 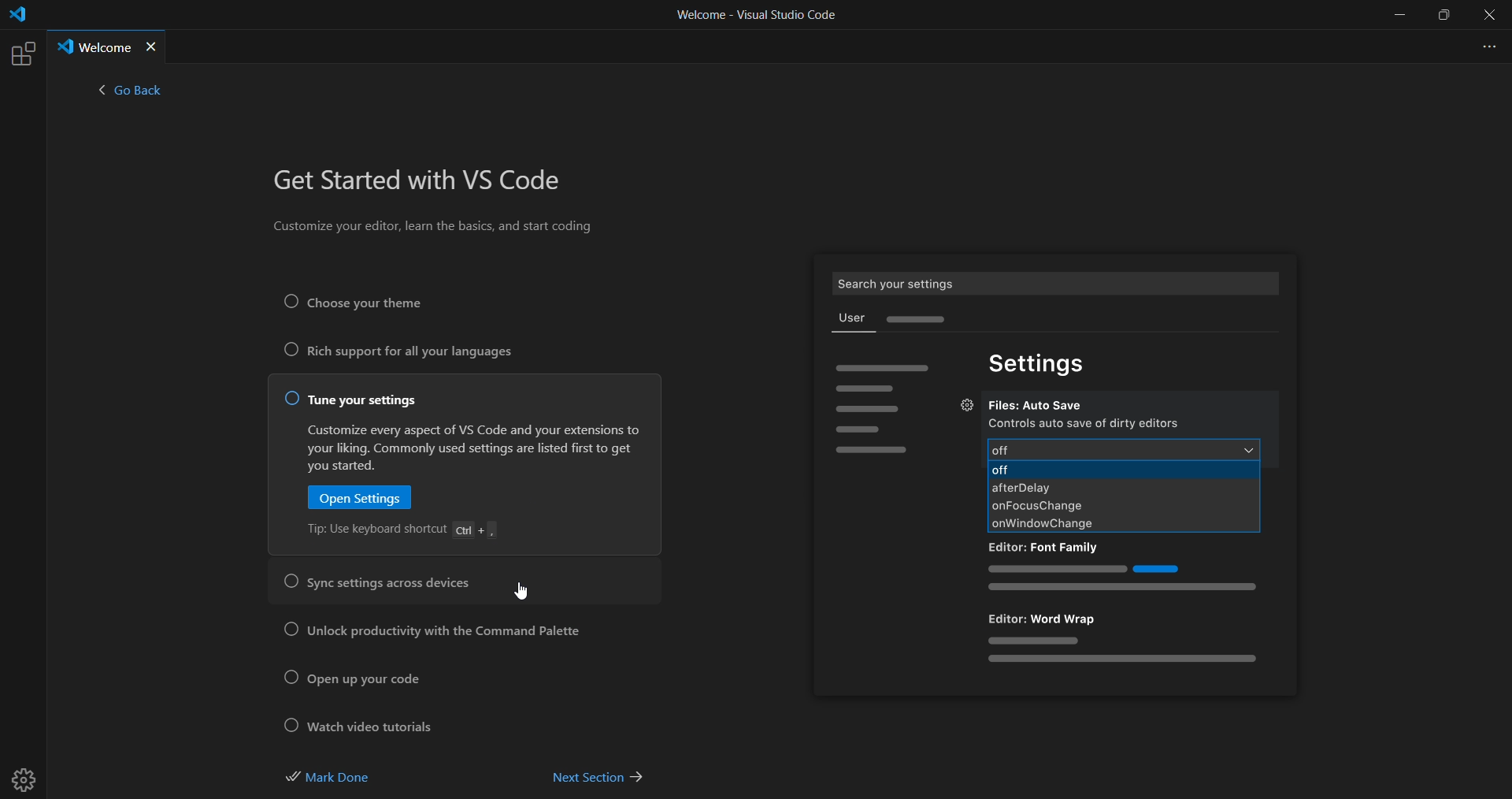 What do you see at coordinates (432, 630) in the screenshot?
I see `unlock productivity with the command palette` at bounding box center [432, 630].